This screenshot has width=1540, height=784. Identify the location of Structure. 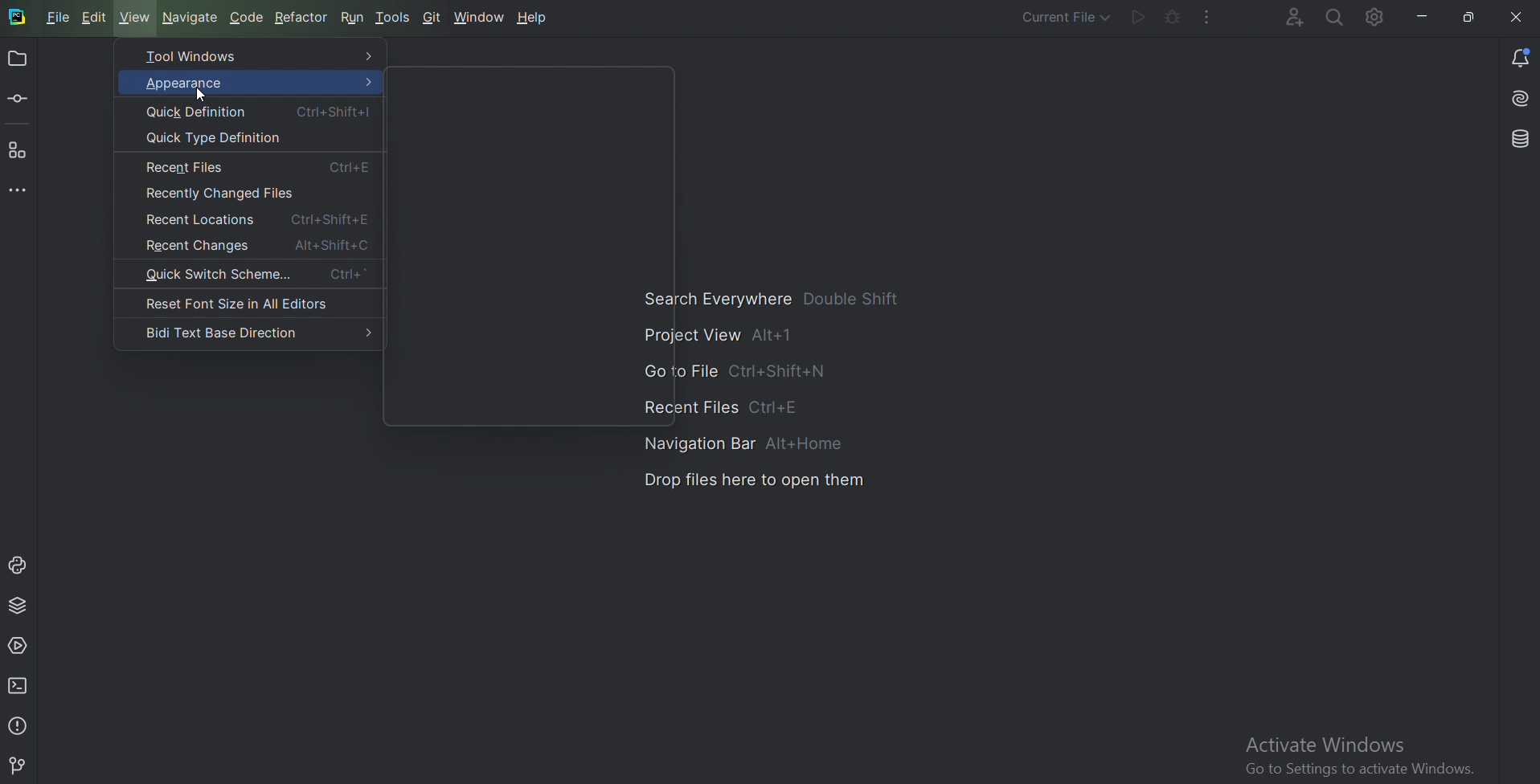
(18, 150).